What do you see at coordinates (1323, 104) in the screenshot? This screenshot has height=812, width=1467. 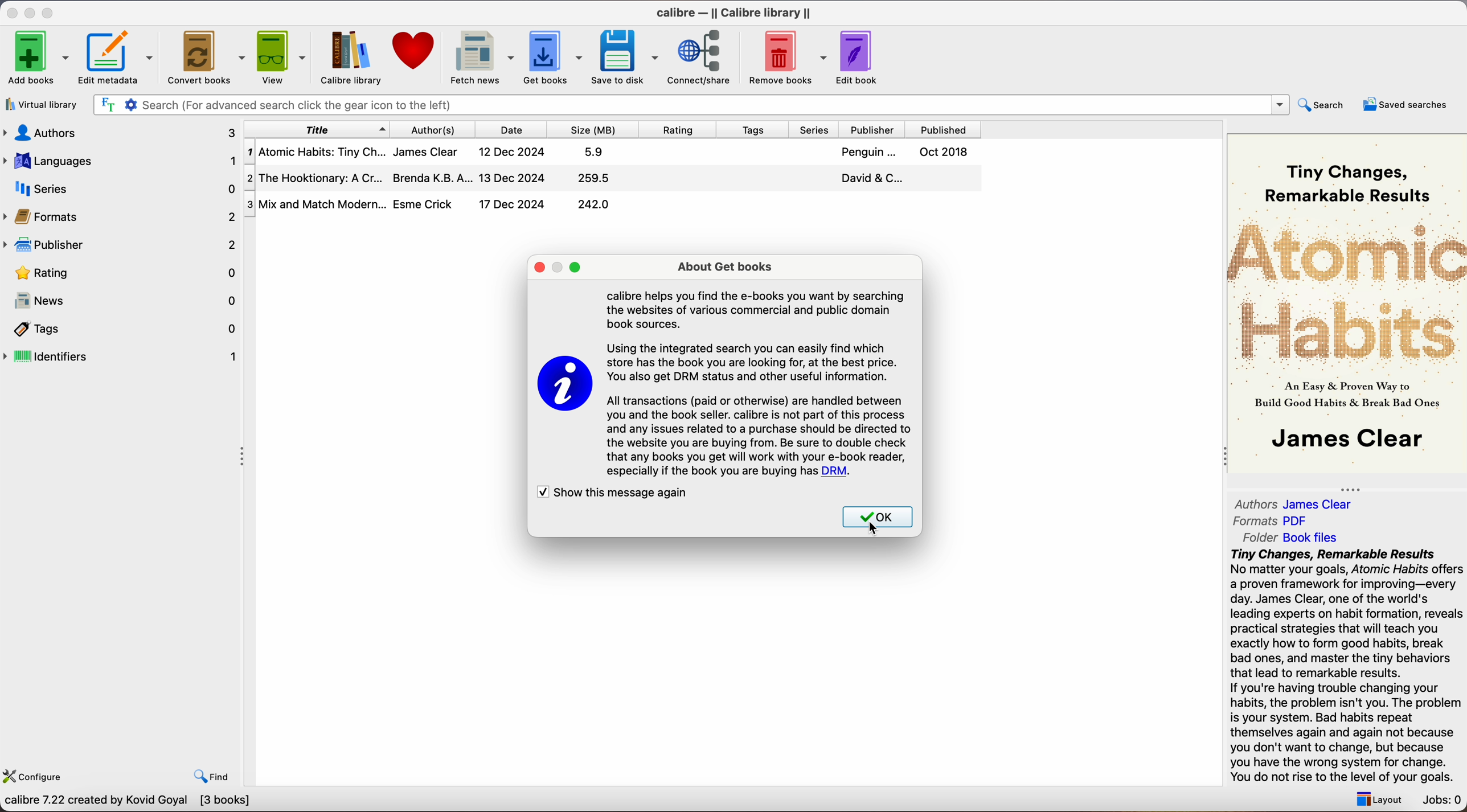 I see `search` at bounding box center [1323, 104].